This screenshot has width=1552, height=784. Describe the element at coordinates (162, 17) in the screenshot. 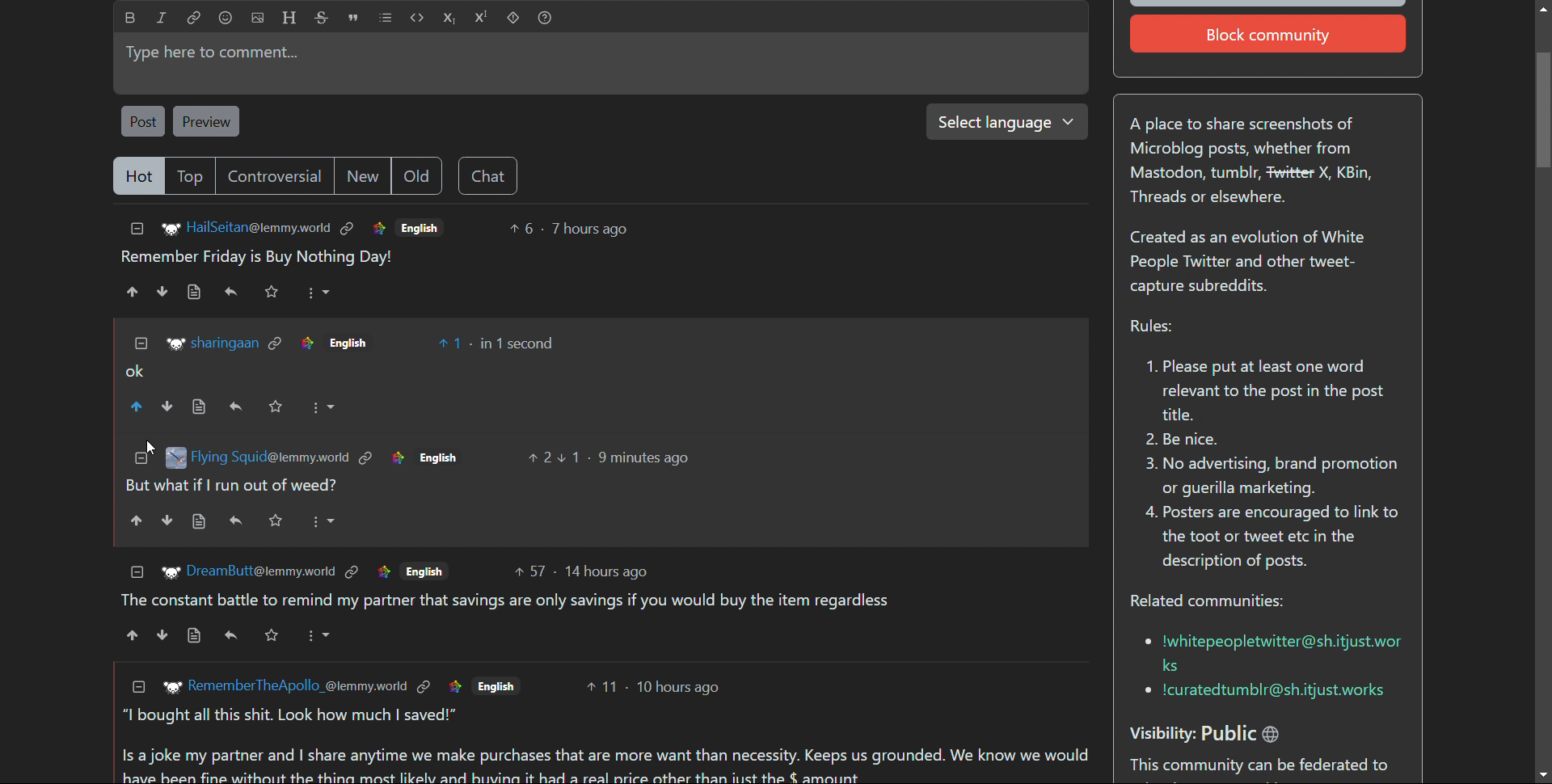

I see `italic` at that location.